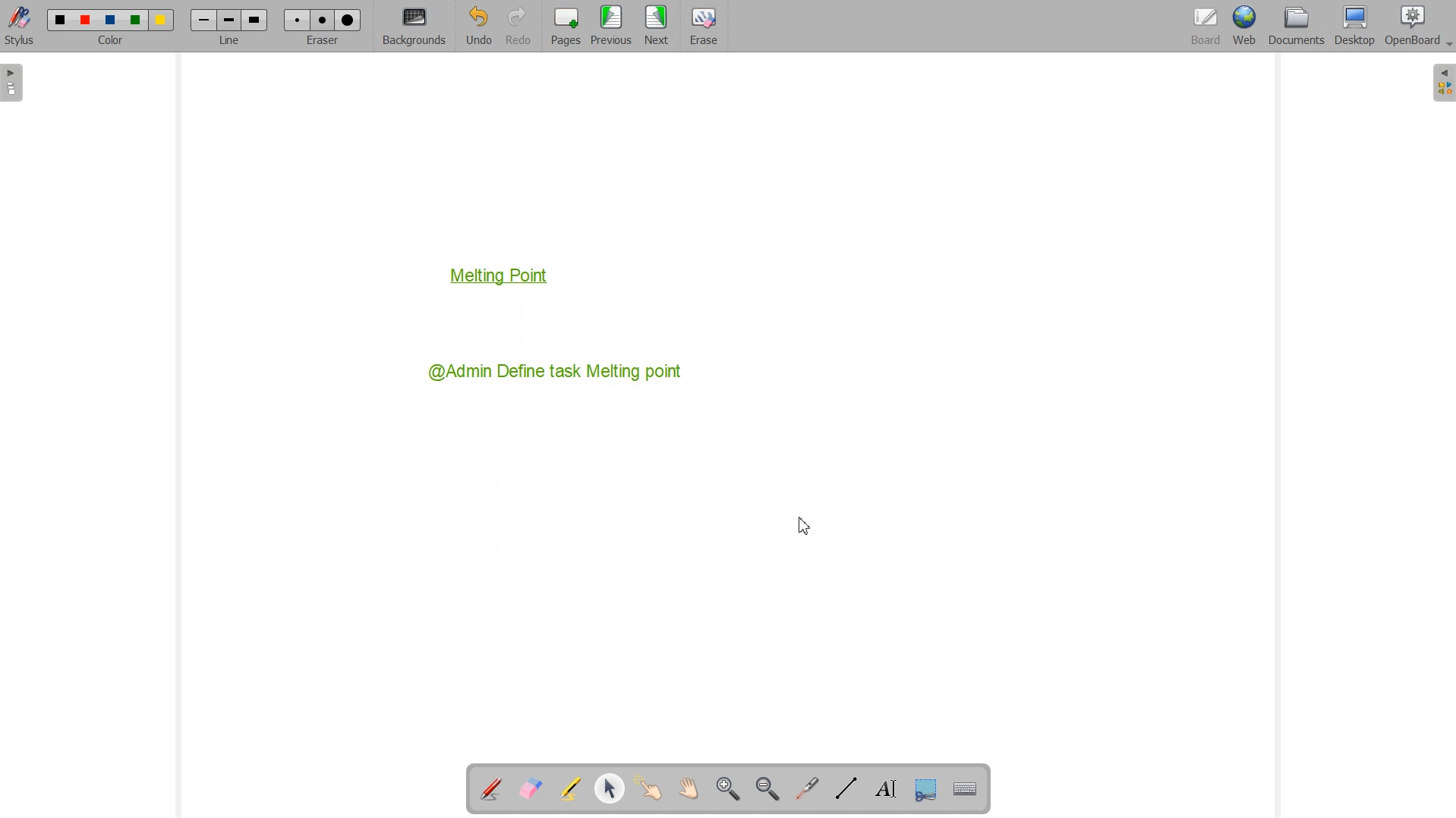  What do you see at coordinates (923, 788) in the screenshot?
I see `Capture part of the screen` at bounding box center [923, 788].